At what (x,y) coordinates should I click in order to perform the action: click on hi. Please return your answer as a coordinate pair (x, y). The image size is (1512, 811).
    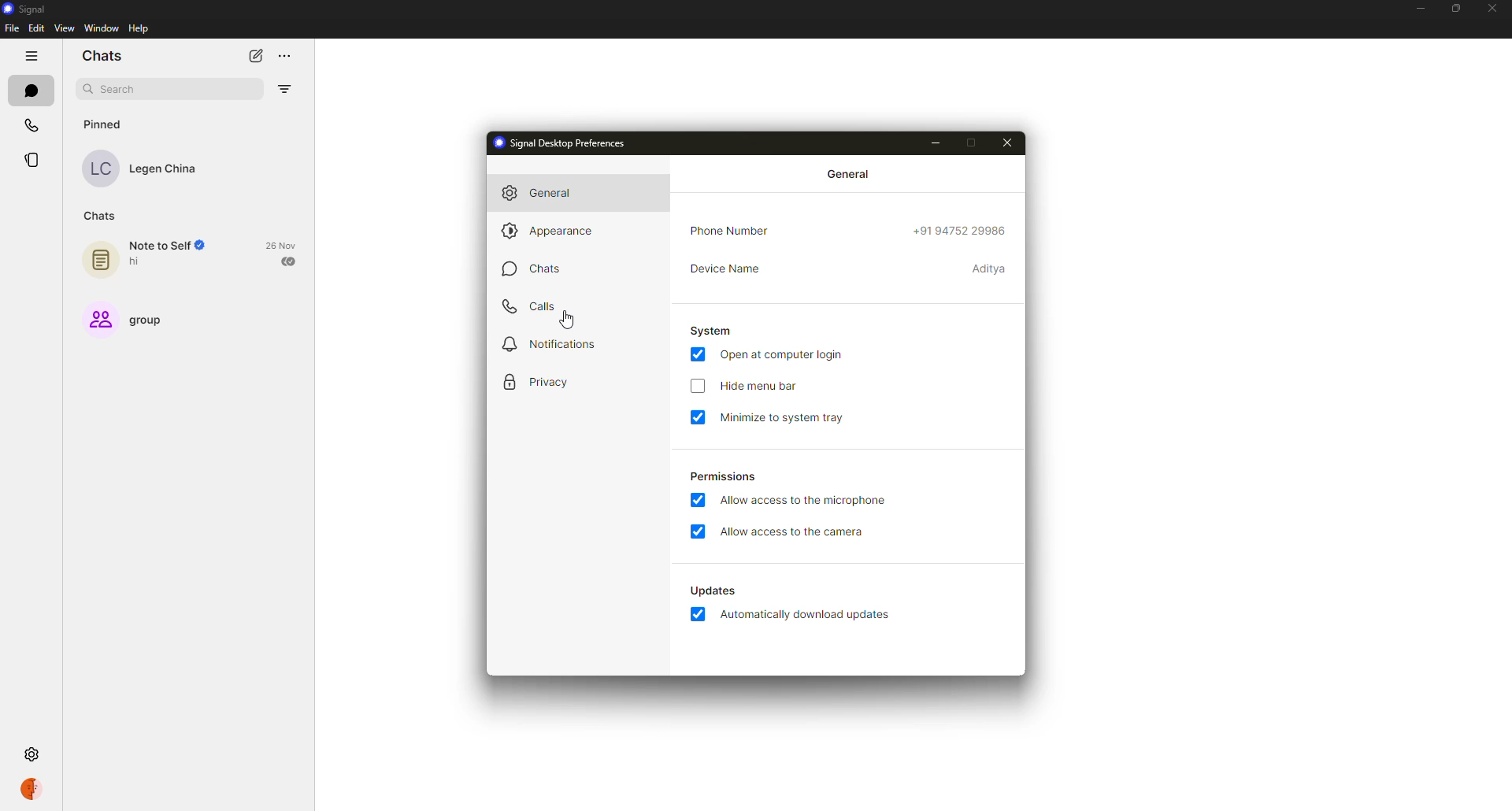
    Looking at the image, I should click on (139, 262).